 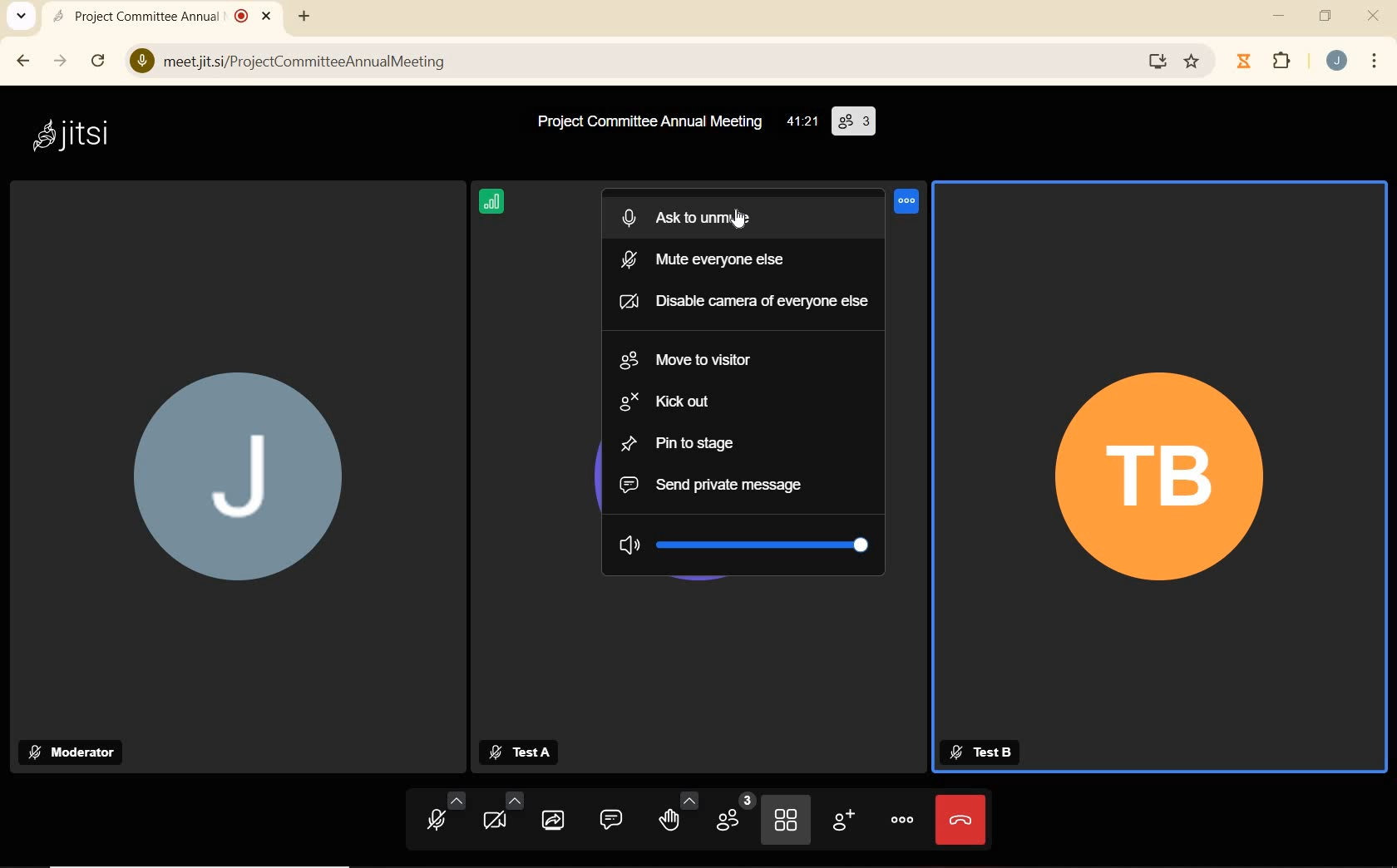 I want to click on TB, so click(x=1162, y=486).